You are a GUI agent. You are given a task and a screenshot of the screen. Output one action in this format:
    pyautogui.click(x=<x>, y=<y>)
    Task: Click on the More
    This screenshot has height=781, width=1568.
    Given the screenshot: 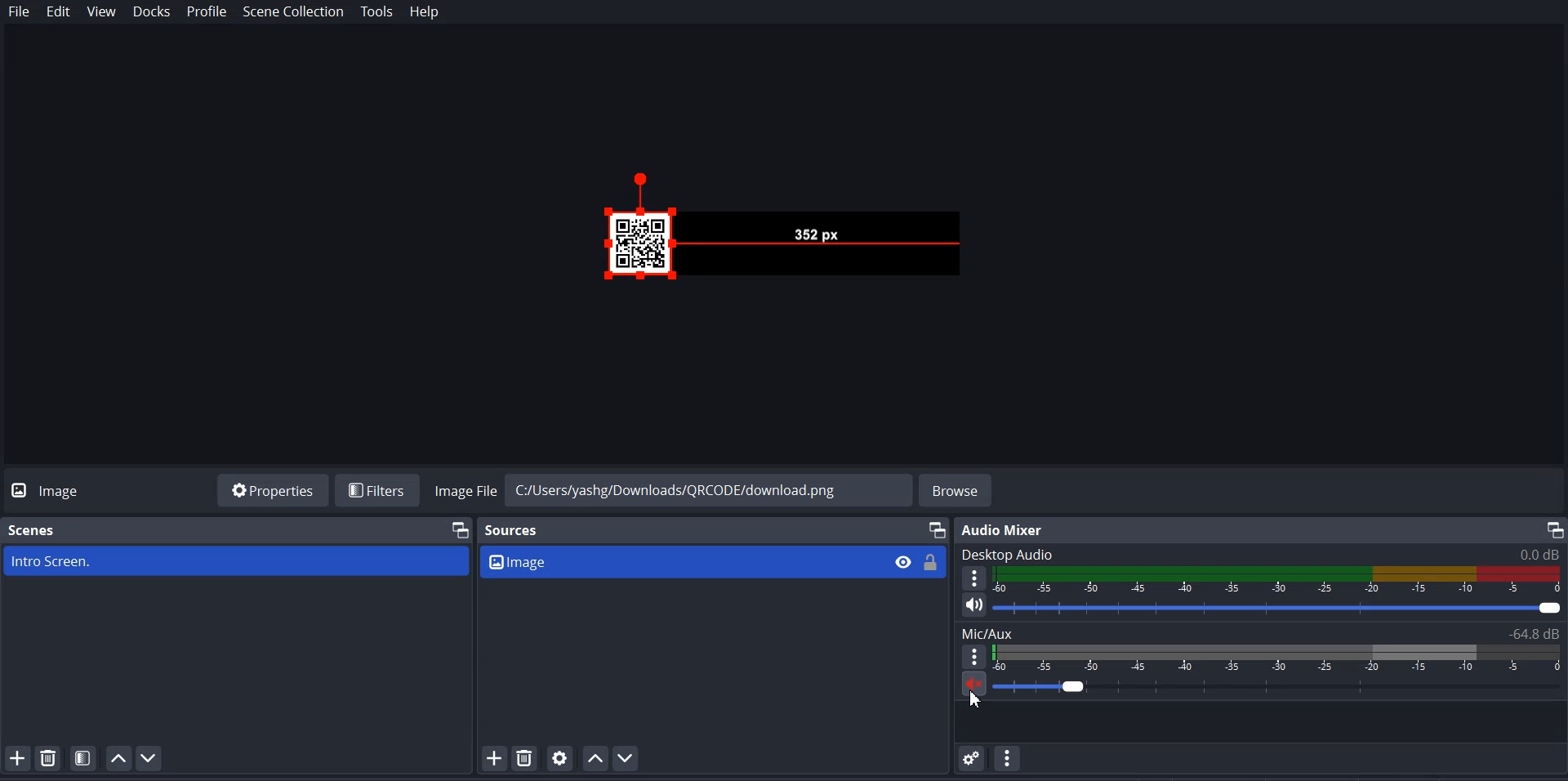 What is the action you would take?
    pyautogui.click(x=973, y=577)
    